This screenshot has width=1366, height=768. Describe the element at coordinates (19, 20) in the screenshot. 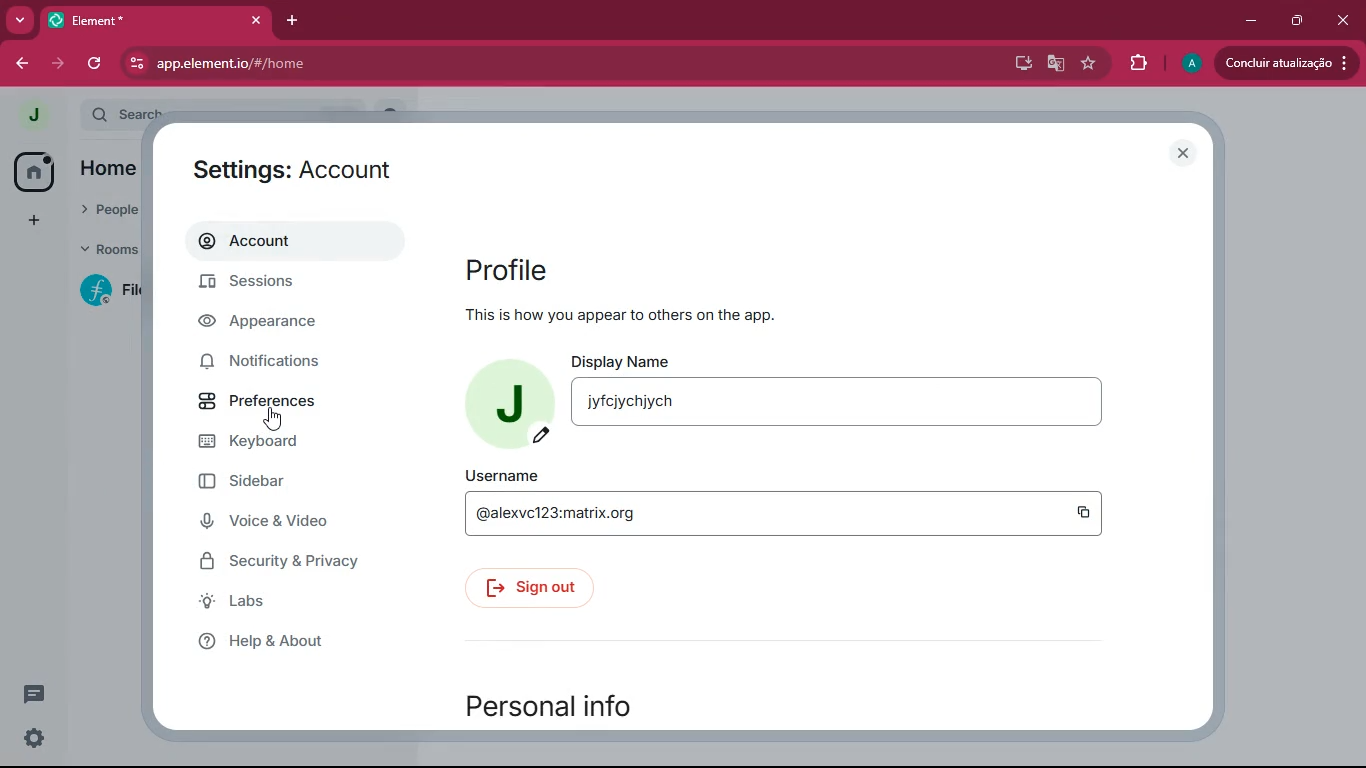

I see `more` at that location.